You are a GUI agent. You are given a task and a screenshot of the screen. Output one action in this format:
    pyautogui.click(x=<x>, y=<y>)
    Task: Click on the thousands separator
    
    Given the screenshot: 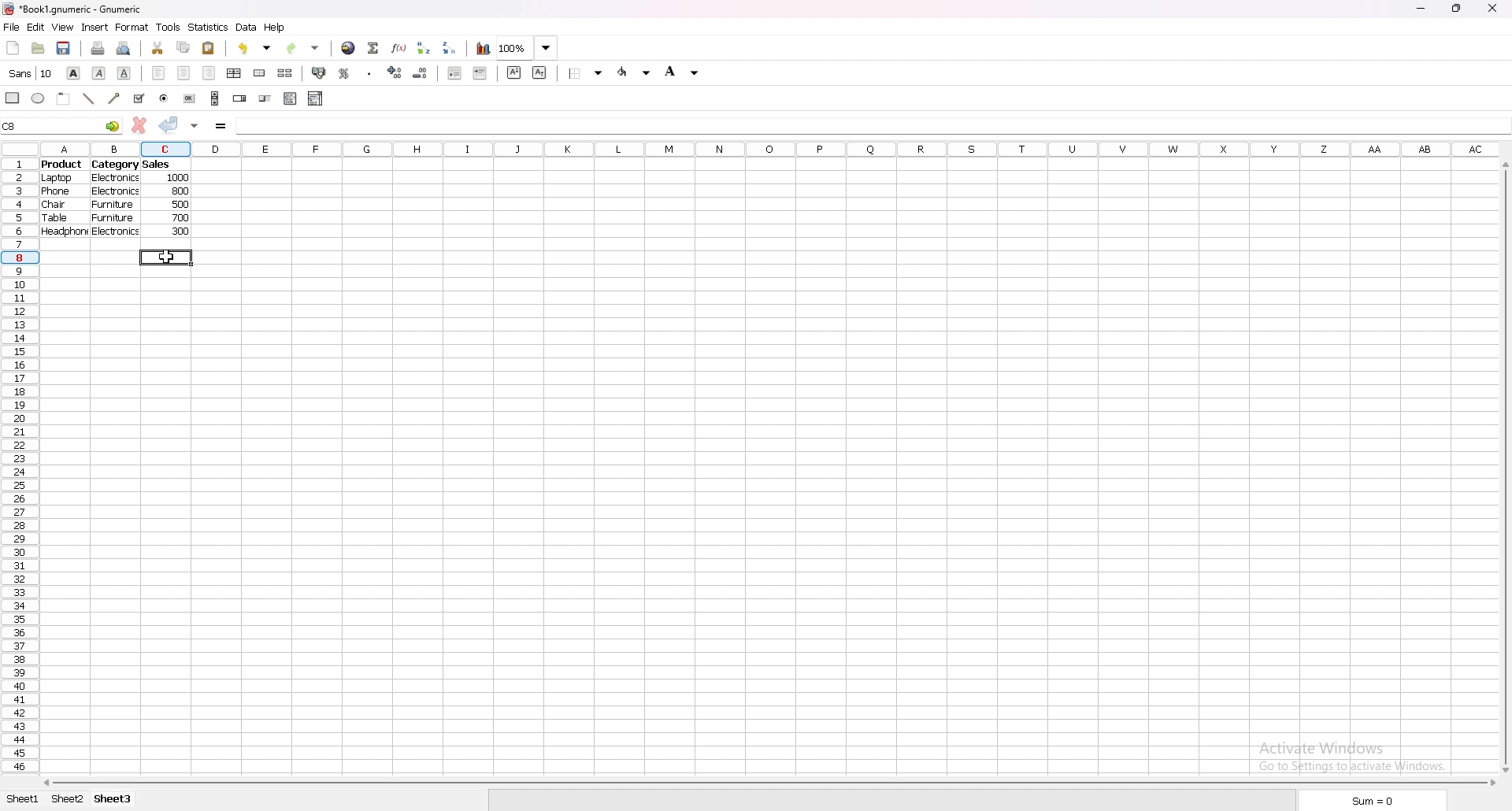 What is the action you would take?
    pyautogui.click(x=368, y=73)
    